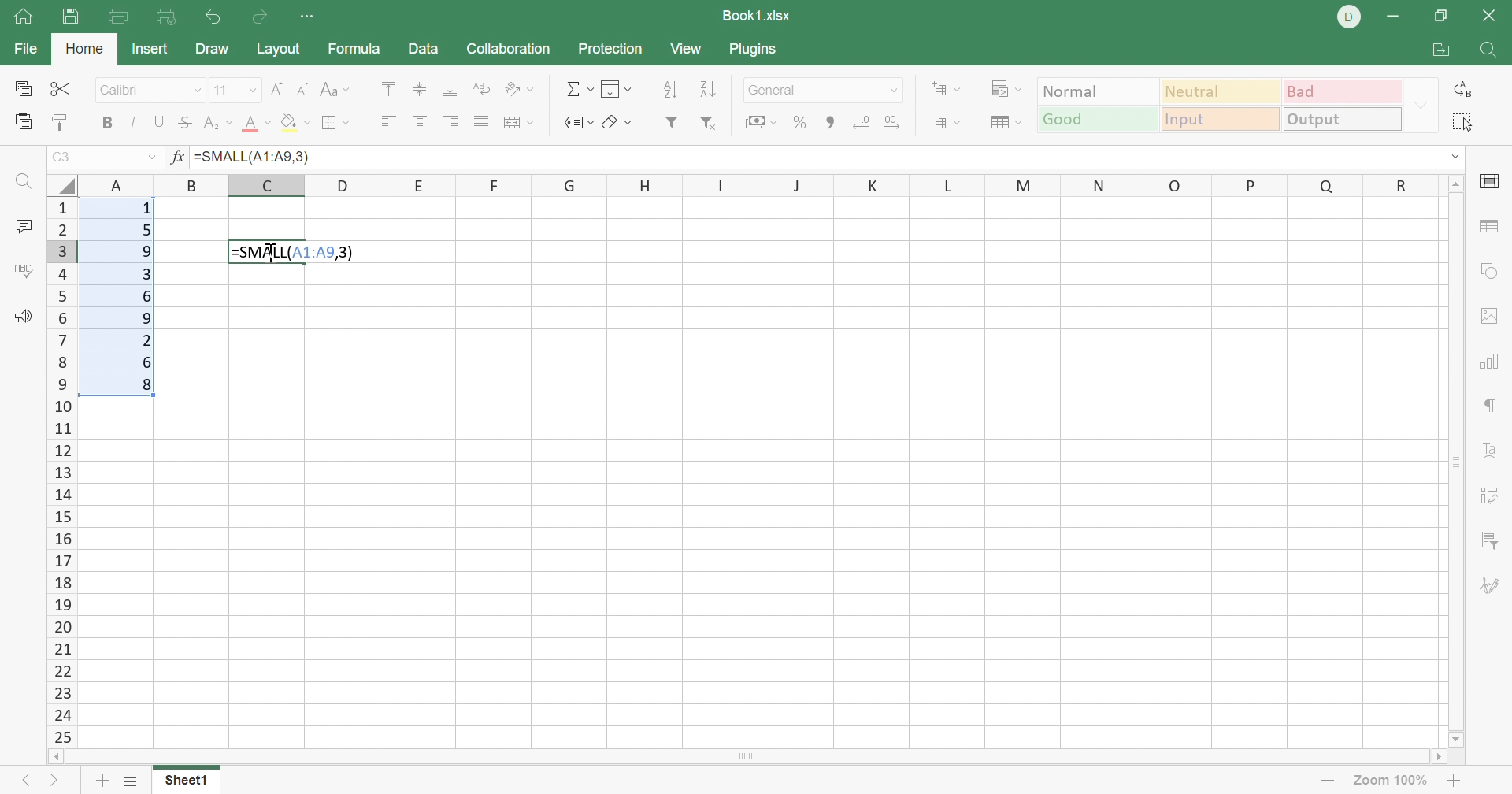 The image size is (1512, 794). What do you see at coordinates (946, 123) in the screenshot?
I see `Delete cells` at bounding box center [946, 123].